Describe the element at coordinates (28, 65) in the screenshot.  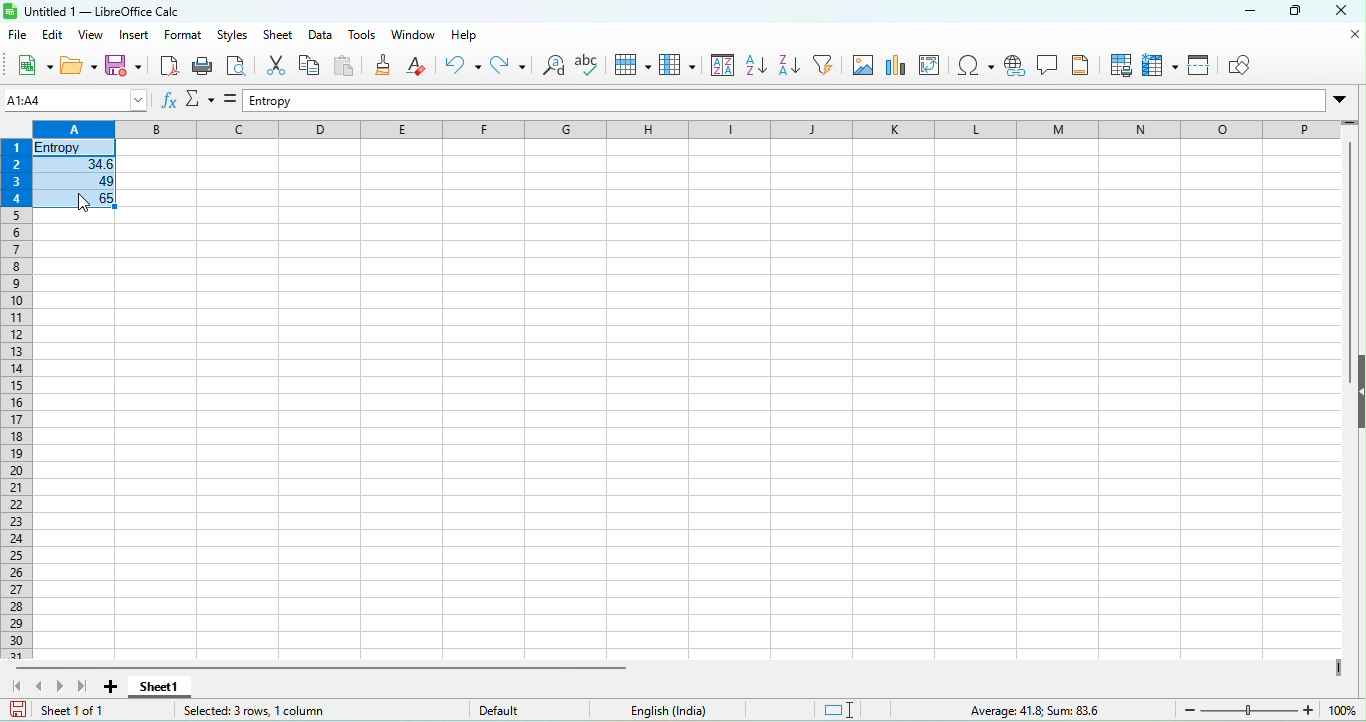
I see `new` at that location.